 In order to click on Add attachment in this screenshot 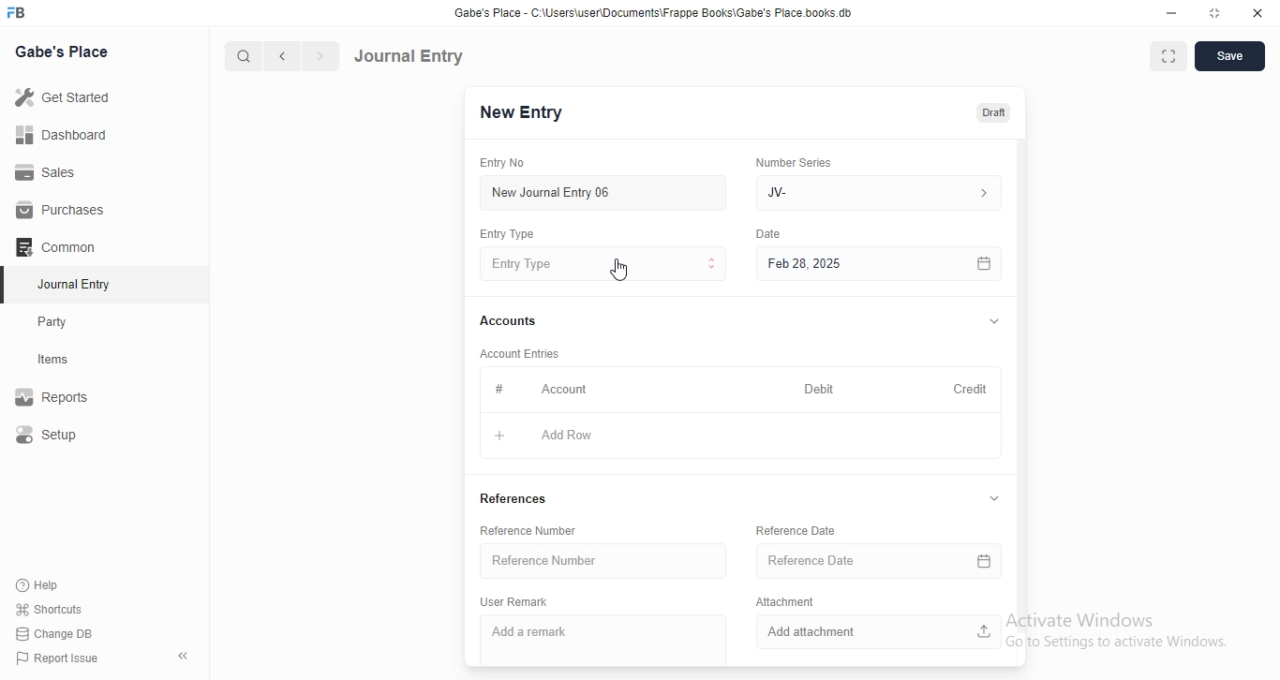, I will do `click(878, 632)`.